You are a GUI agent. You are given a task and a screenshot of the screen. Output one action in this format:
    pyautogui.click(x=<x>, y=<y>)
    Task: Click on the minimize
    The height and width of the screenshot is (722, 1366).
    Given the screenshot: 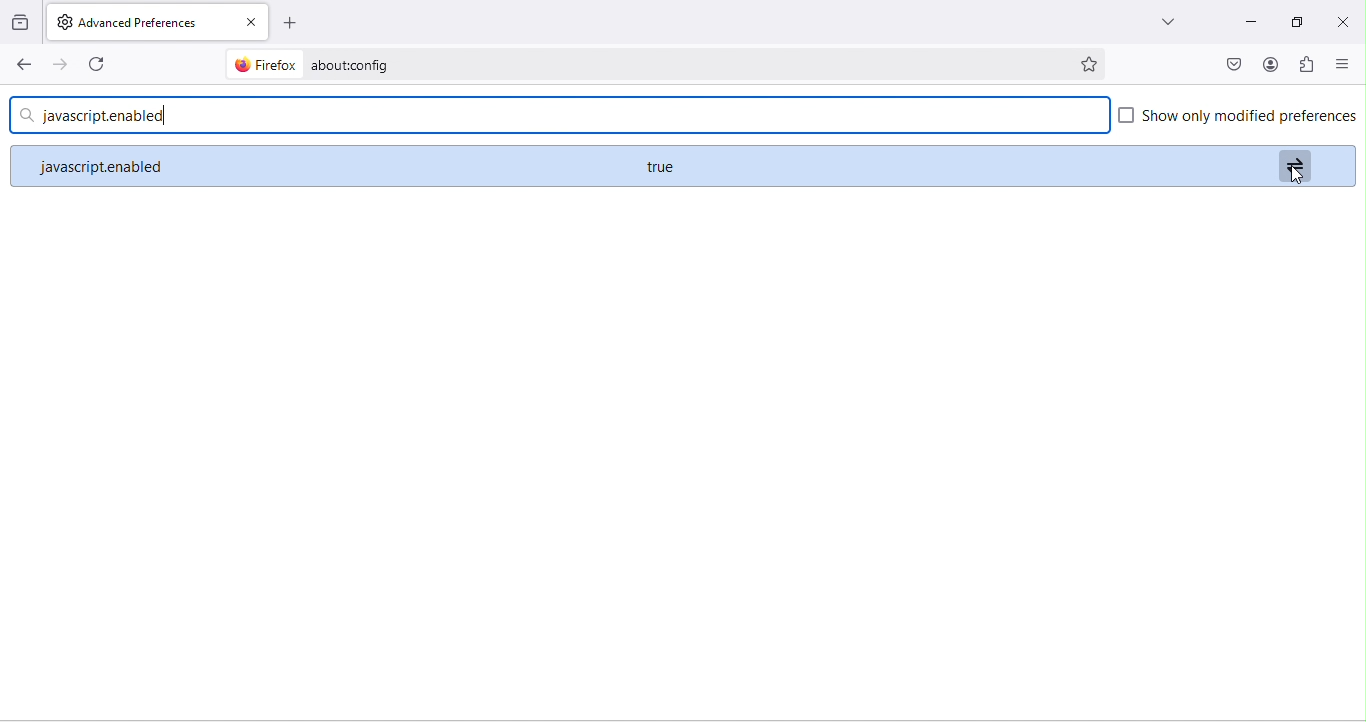 What is the action you would take?
    pyautogui.click(x=1252, y=22)
    